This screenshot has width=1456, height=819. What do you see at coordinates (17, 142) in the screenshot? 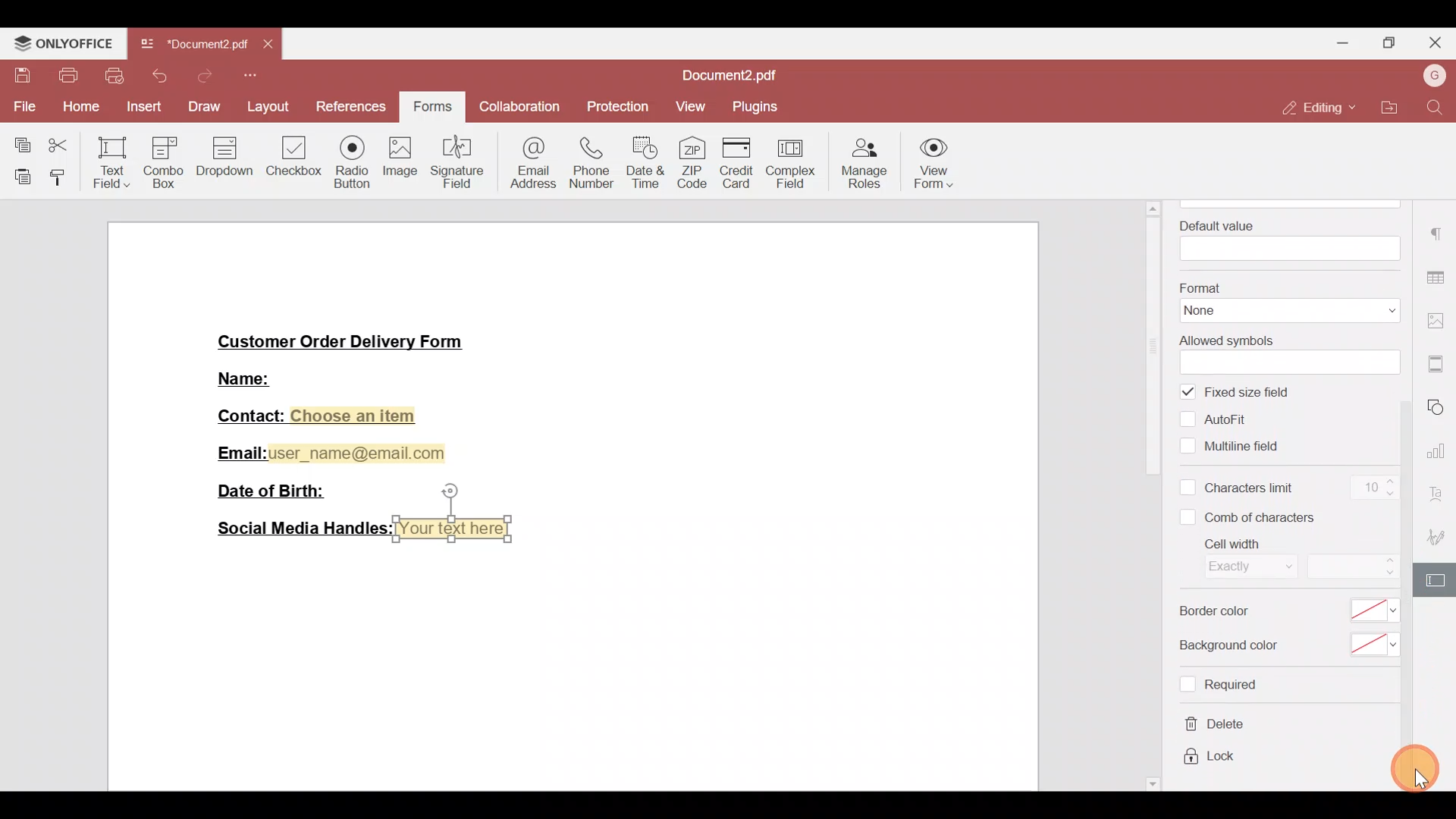
I see `Copy` at bounding box center [17, 142].